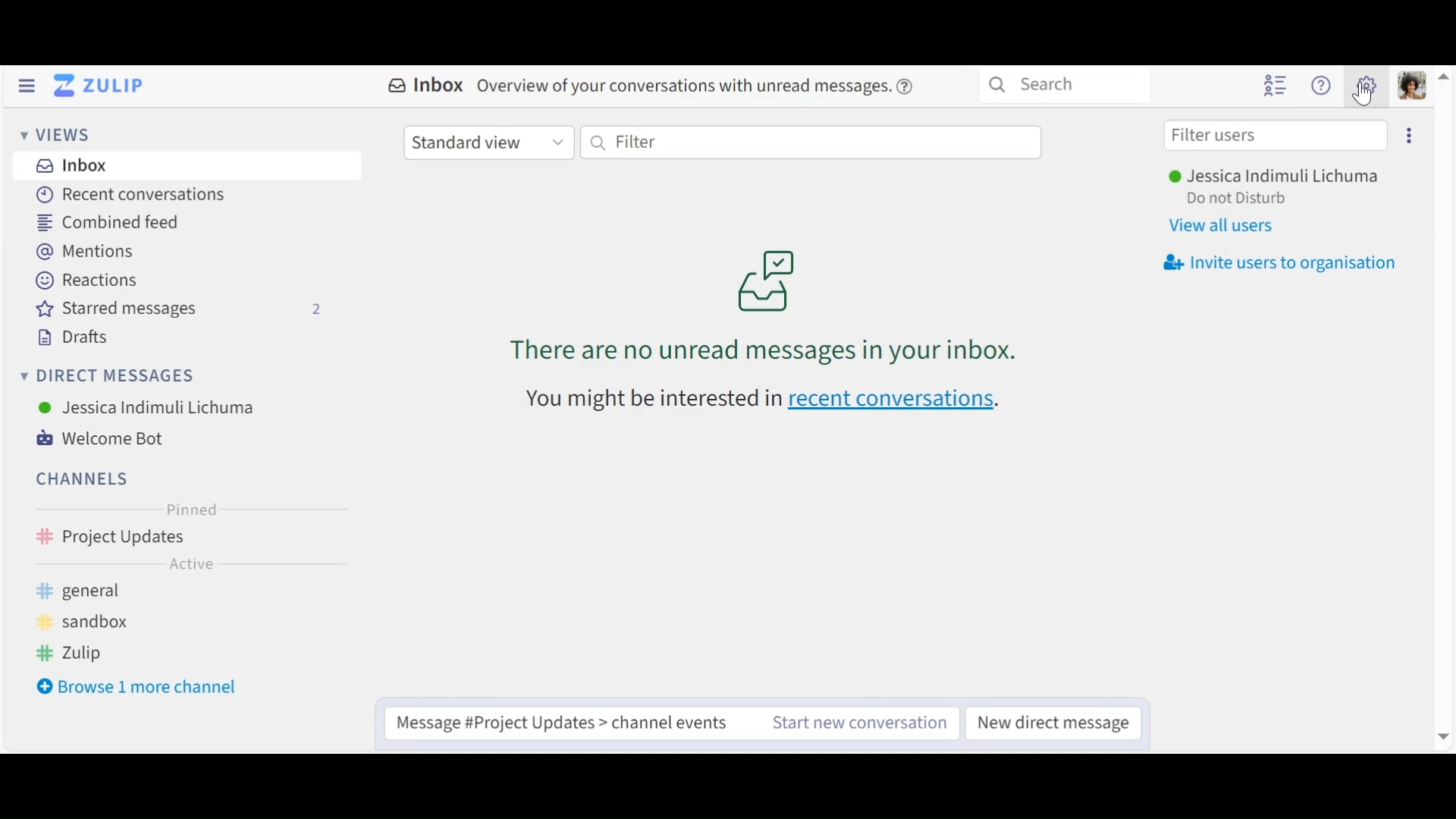  I want to click on sandbox, so click(90, 622).